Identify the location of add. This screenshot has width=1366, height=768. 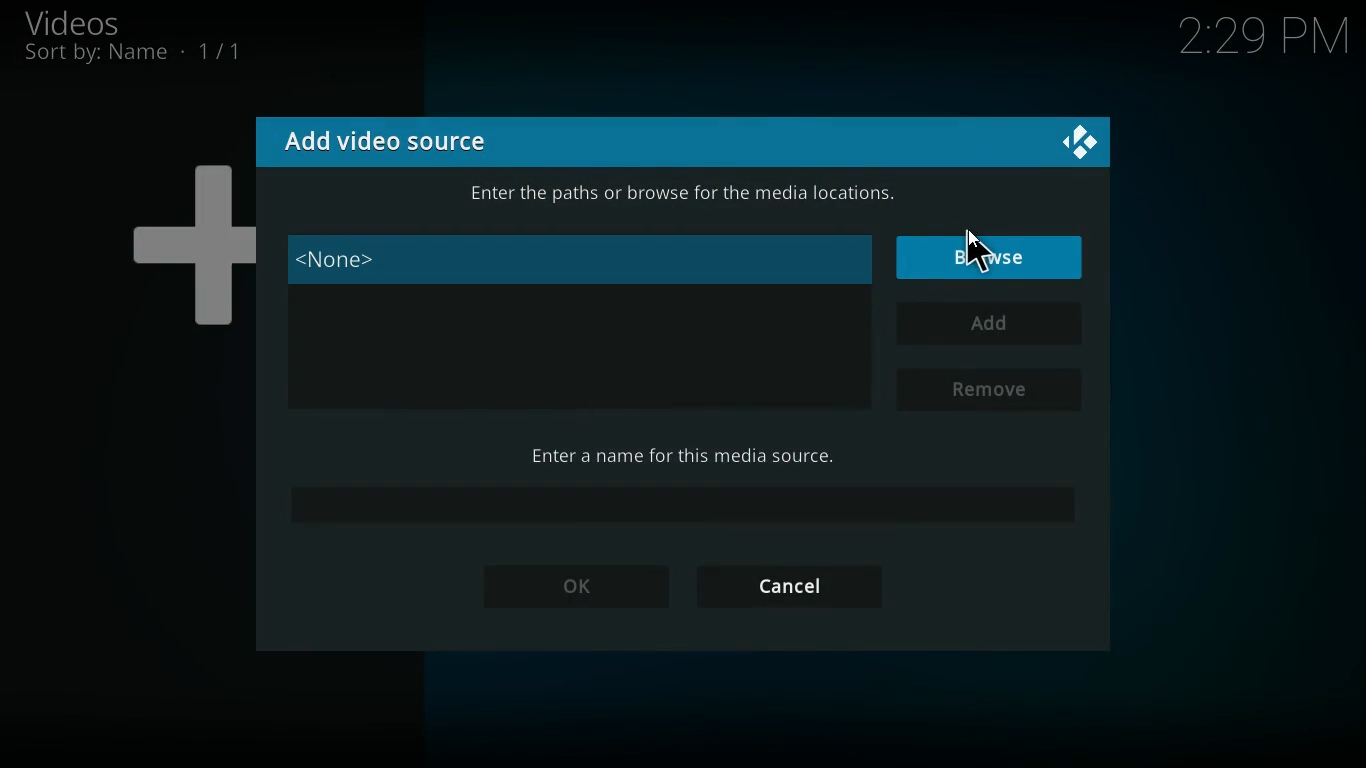
(987, 324).